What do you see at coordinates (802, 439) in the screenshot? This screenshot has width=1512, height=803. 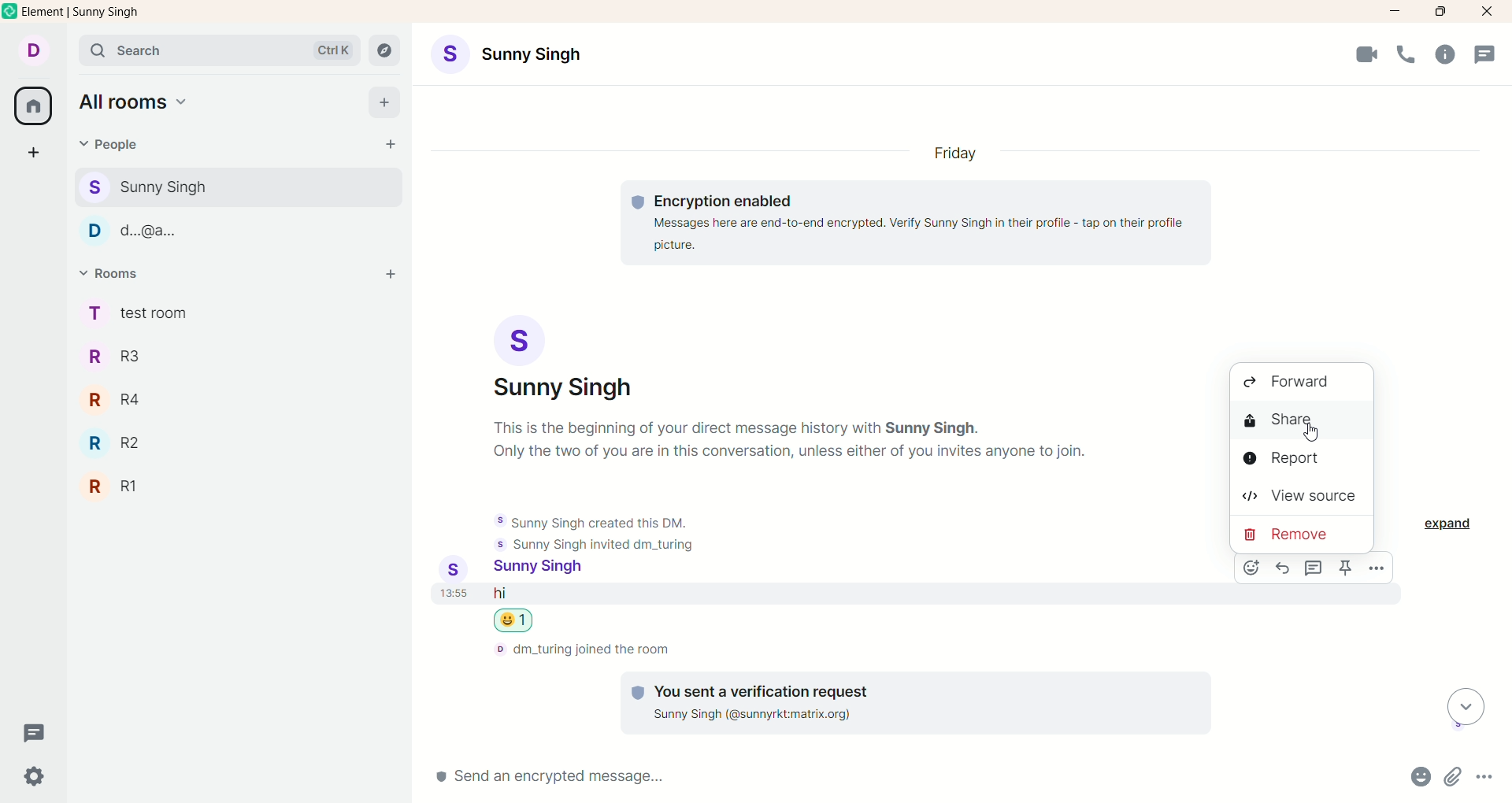 I see `text` at bounding box center [802, 439].